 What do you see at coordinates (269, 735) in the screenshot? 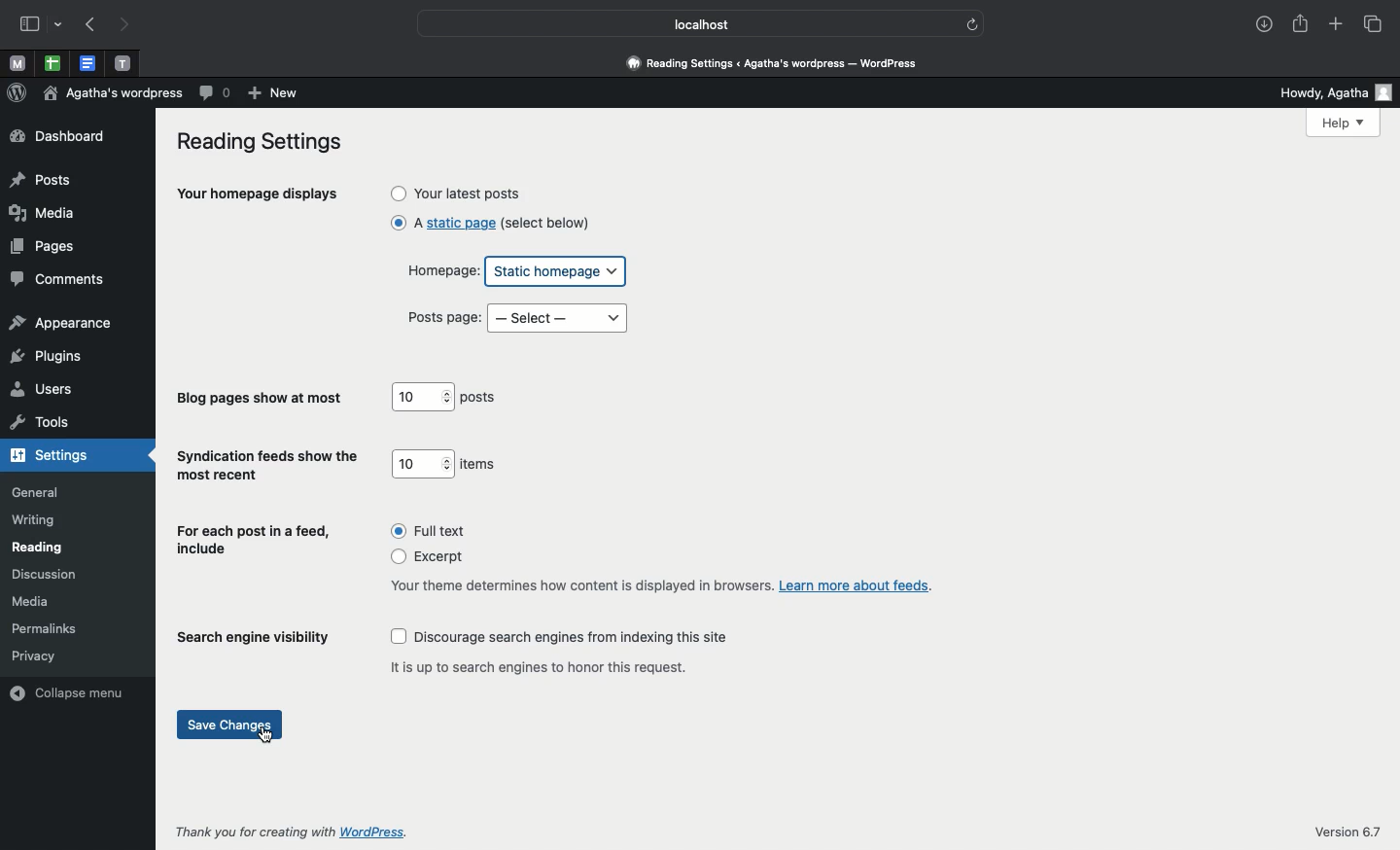
I see `cursor` at bounding box center [269, 735].